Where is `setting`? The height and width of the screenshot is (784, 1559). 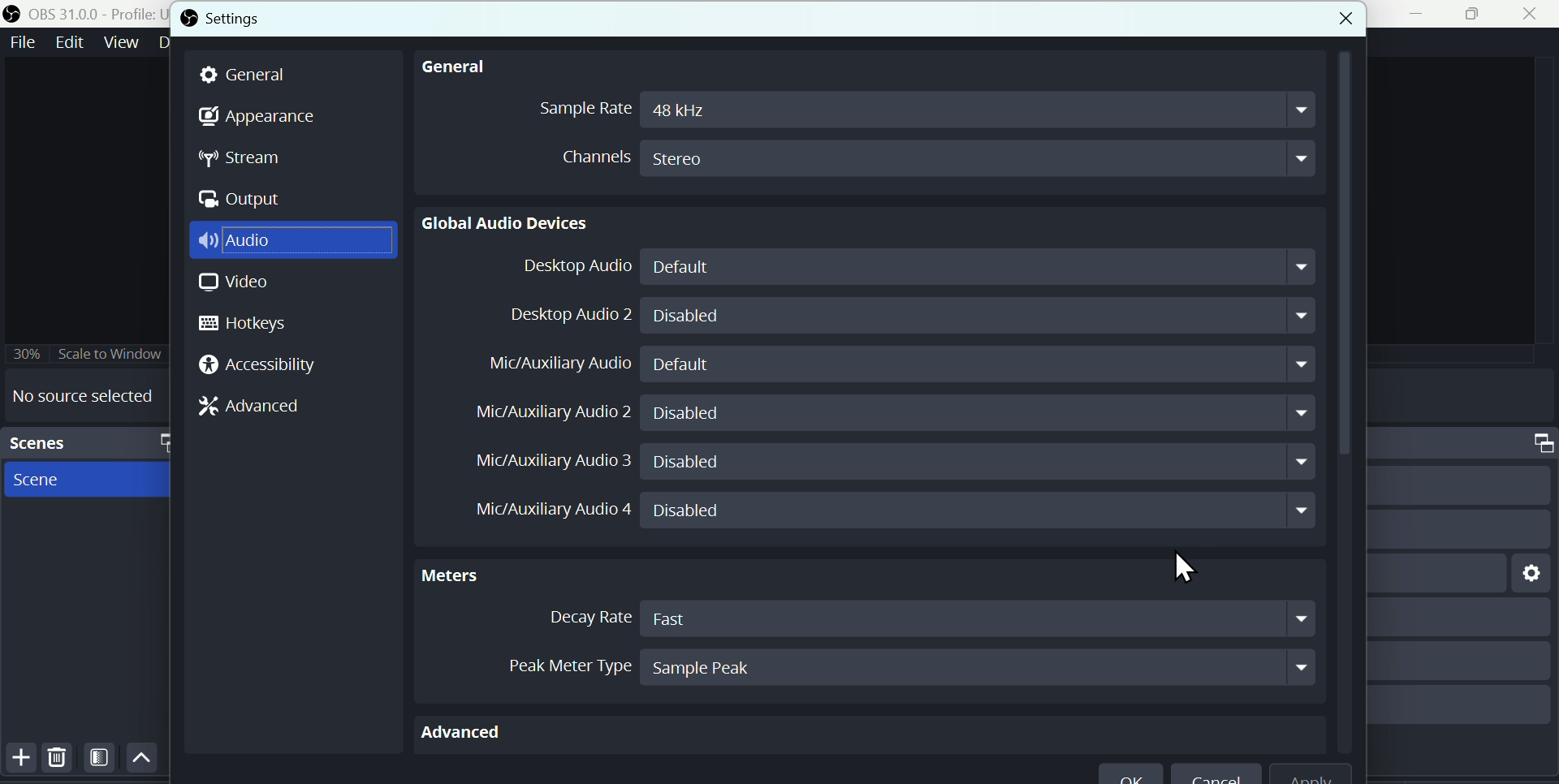 setting is located at coordinates (1527, 571).